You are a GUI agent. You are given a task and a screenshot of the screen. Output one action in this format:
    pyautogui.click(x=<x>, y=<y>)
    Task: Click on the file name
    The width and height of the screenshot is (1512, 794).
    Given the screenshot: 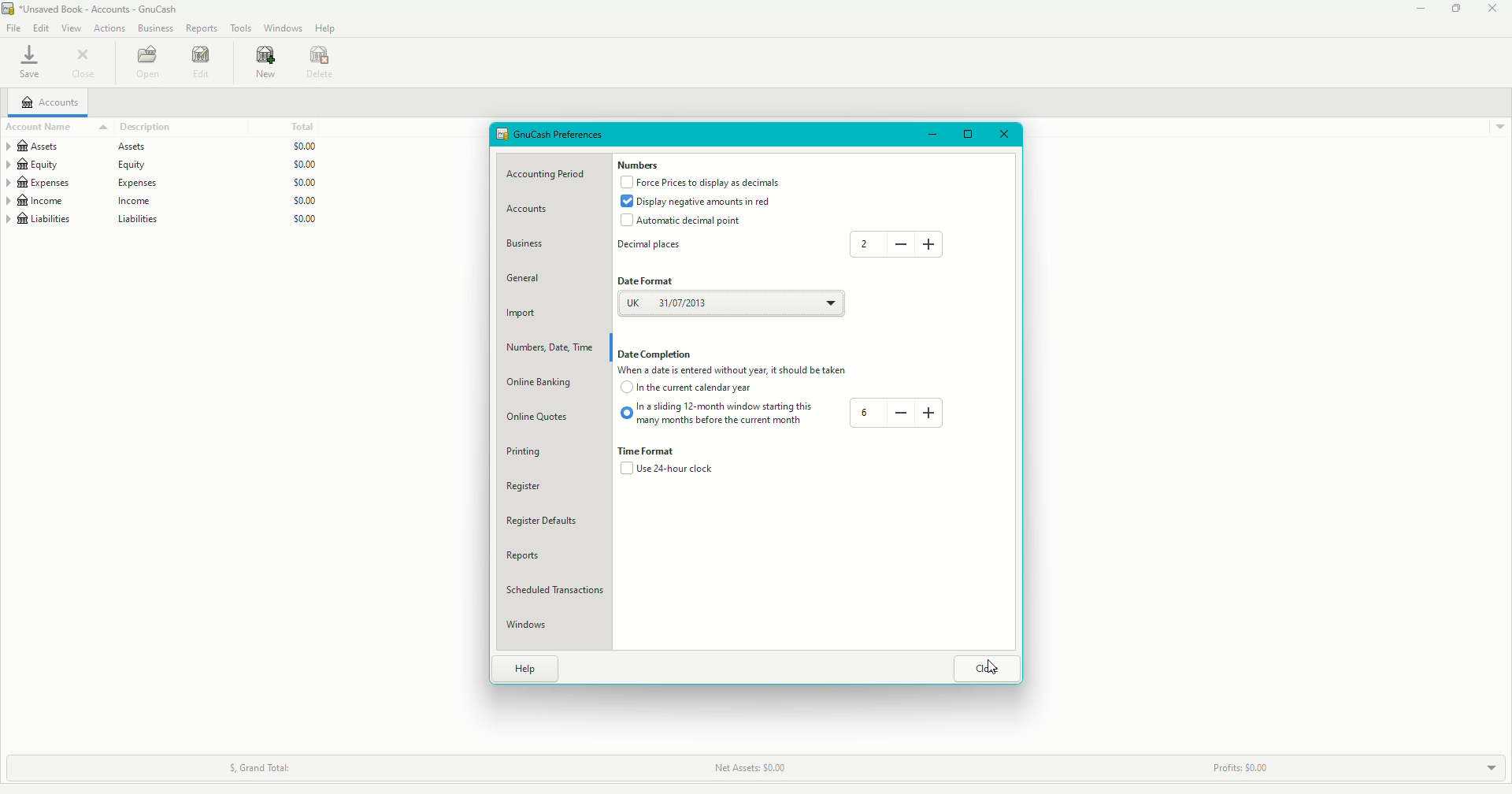 What is the action you would take?
    pyautogui.click(x=102, y=9)
    